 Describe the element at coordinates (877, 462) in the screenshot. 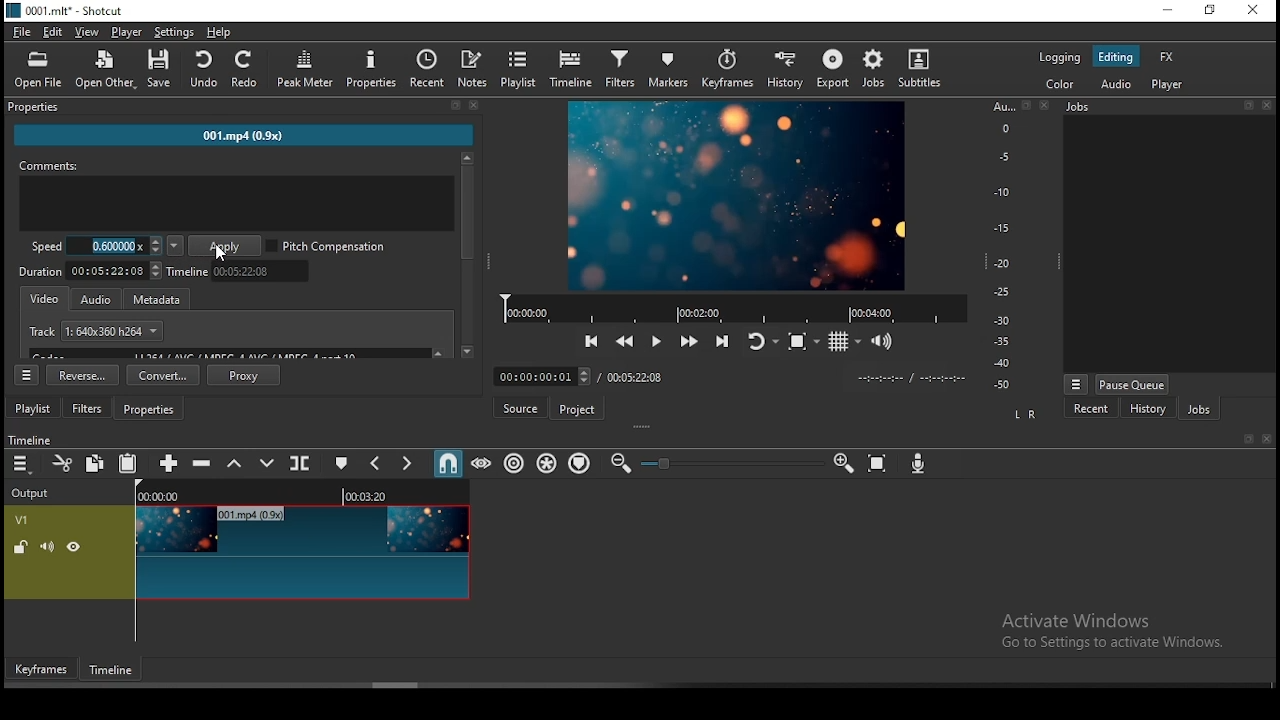

I see `zoom timeline to fit` at that location.